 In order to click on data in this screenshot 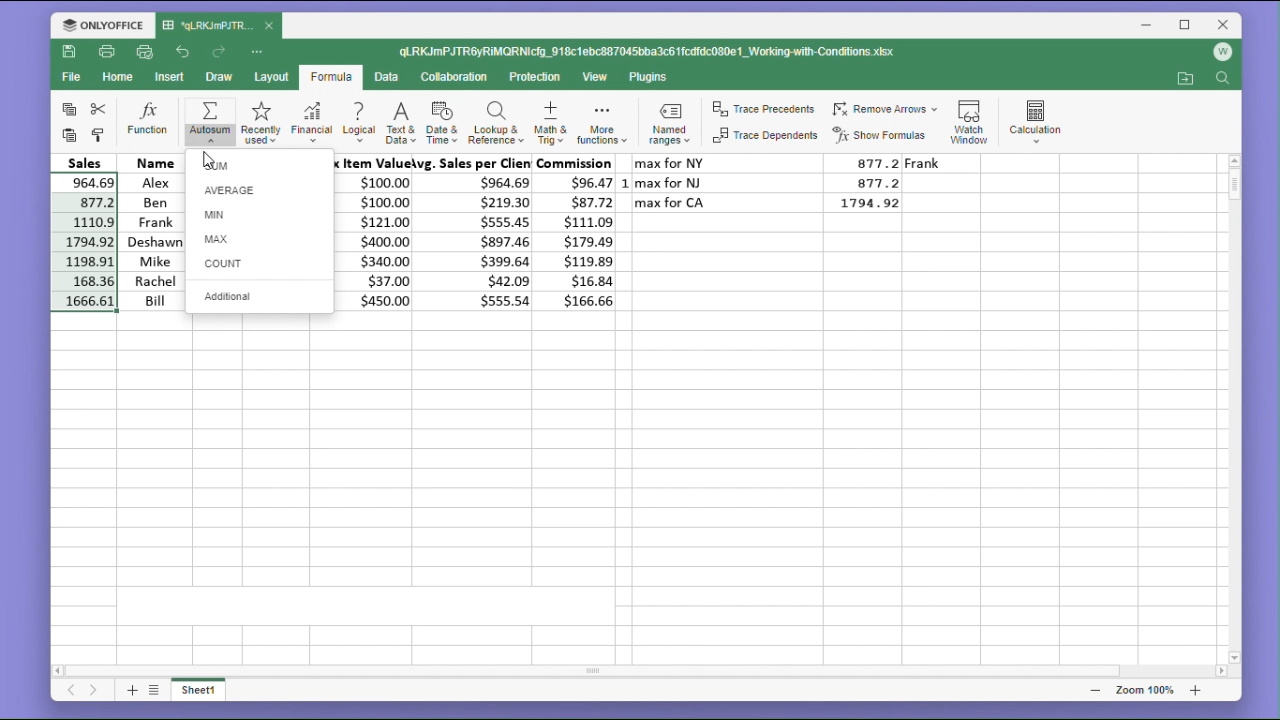, I will do `click(390, 77)`.